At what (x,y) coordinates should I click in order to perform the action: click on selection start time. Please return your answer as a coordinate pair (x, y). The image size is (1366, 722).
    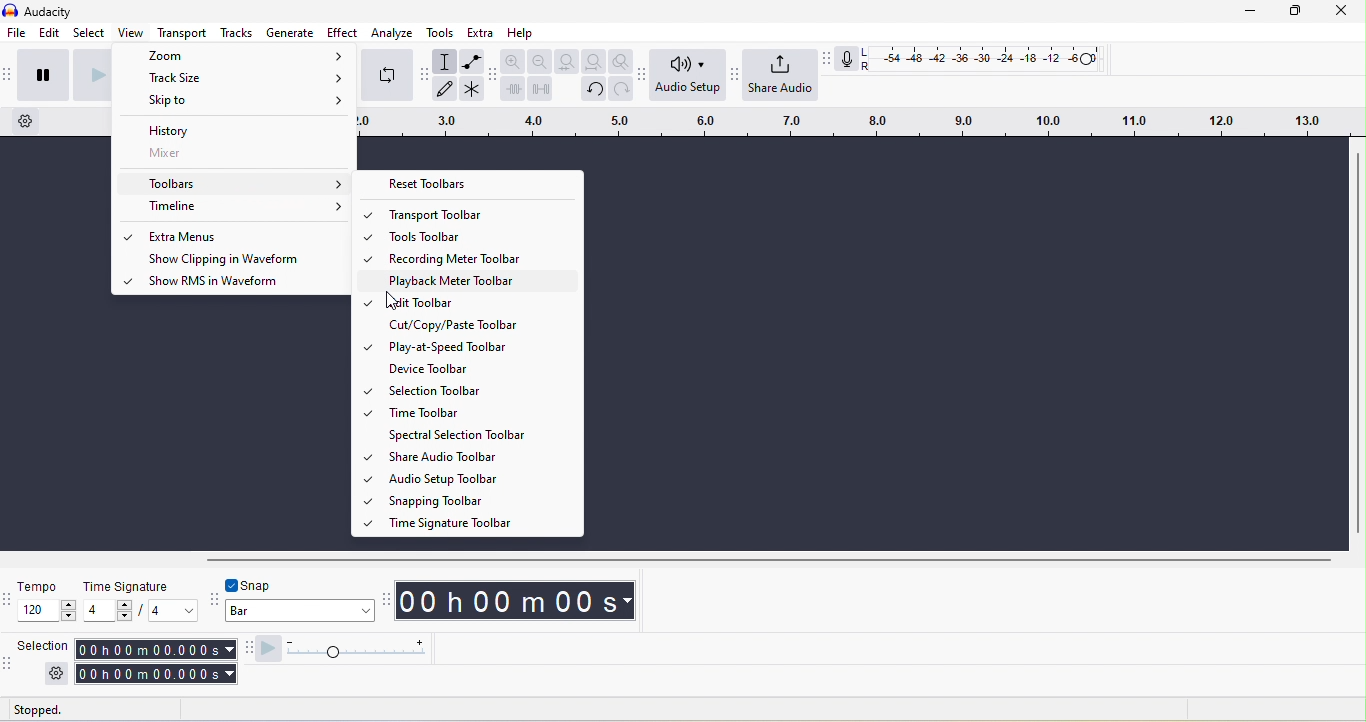
    Looking at the image, I should click on (155, 650).